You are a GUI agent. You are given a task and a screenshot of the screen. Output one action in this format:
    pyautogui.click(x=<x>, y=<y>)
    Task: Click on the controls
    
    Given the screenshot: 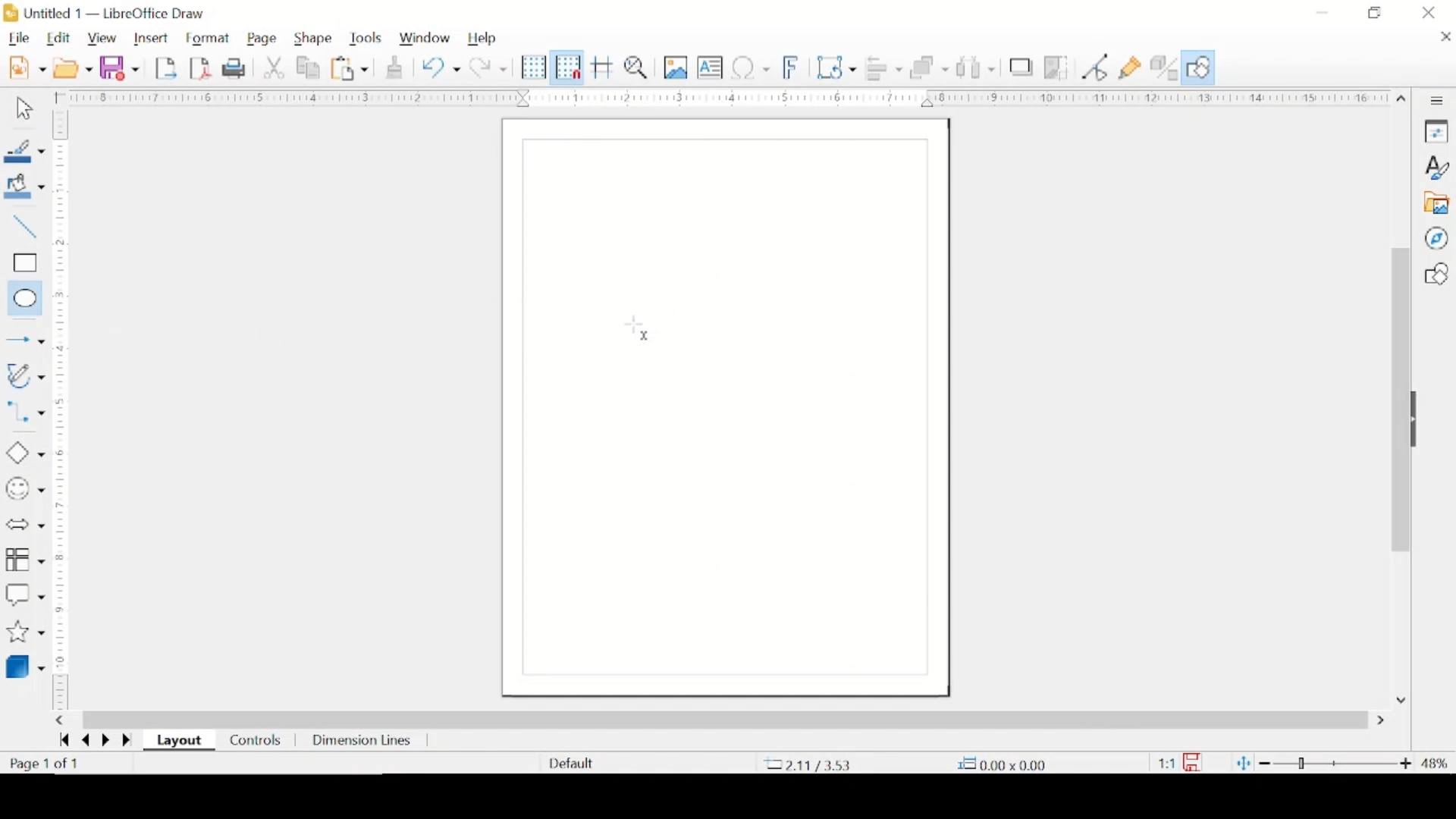 What is the action you would take?
    pyautogui.click(x=256, y=739)
    